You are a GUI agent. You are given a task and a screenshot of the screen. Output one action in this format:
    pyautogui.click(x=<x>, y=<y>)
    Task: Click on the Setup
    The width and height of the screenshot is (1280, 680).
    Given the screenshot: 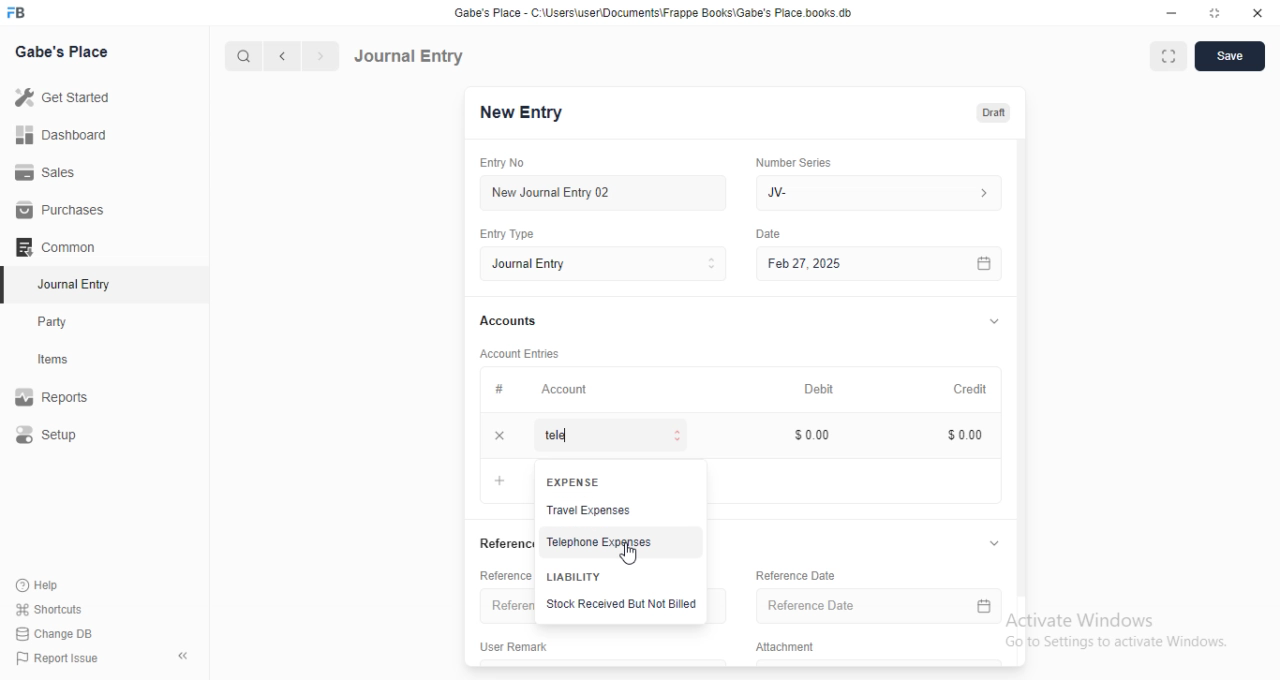 What is the action you would take?
    pyautogui.click(x=49, y=434)
    